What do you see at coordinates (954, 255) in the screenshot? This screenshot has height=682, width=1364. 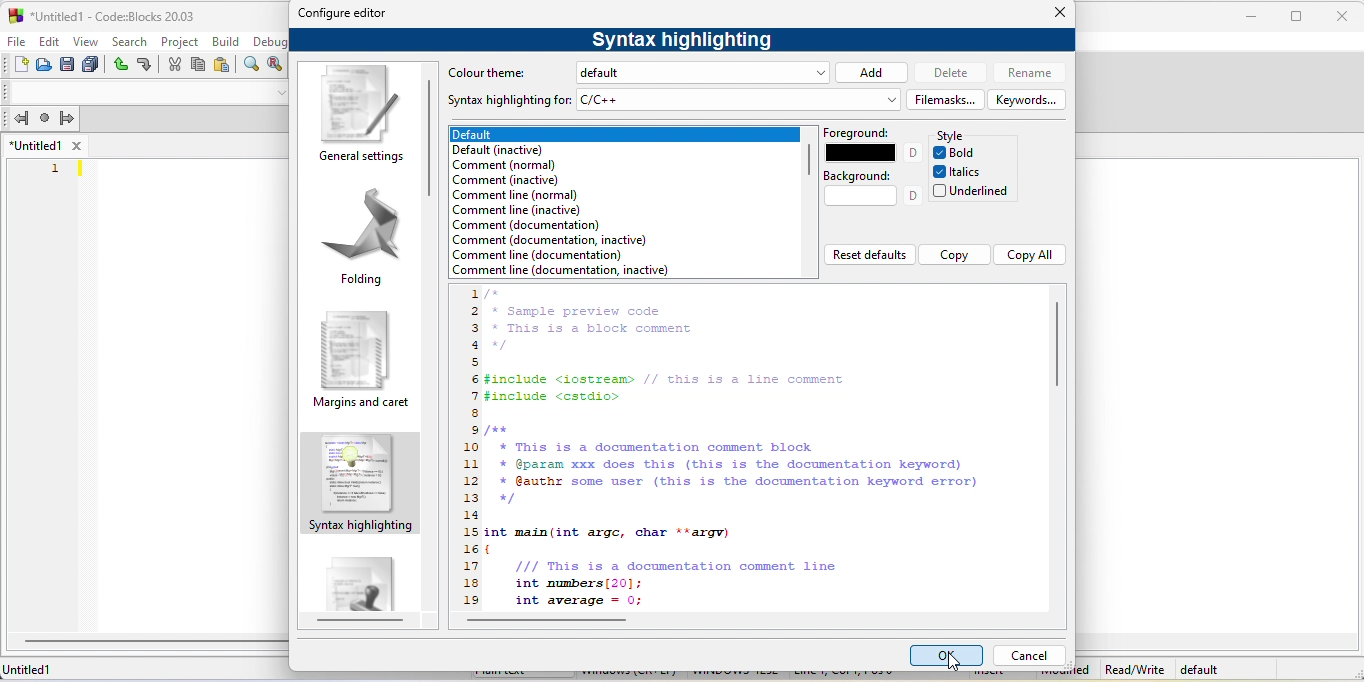 I see `copy` at bounding box center [954, 255].